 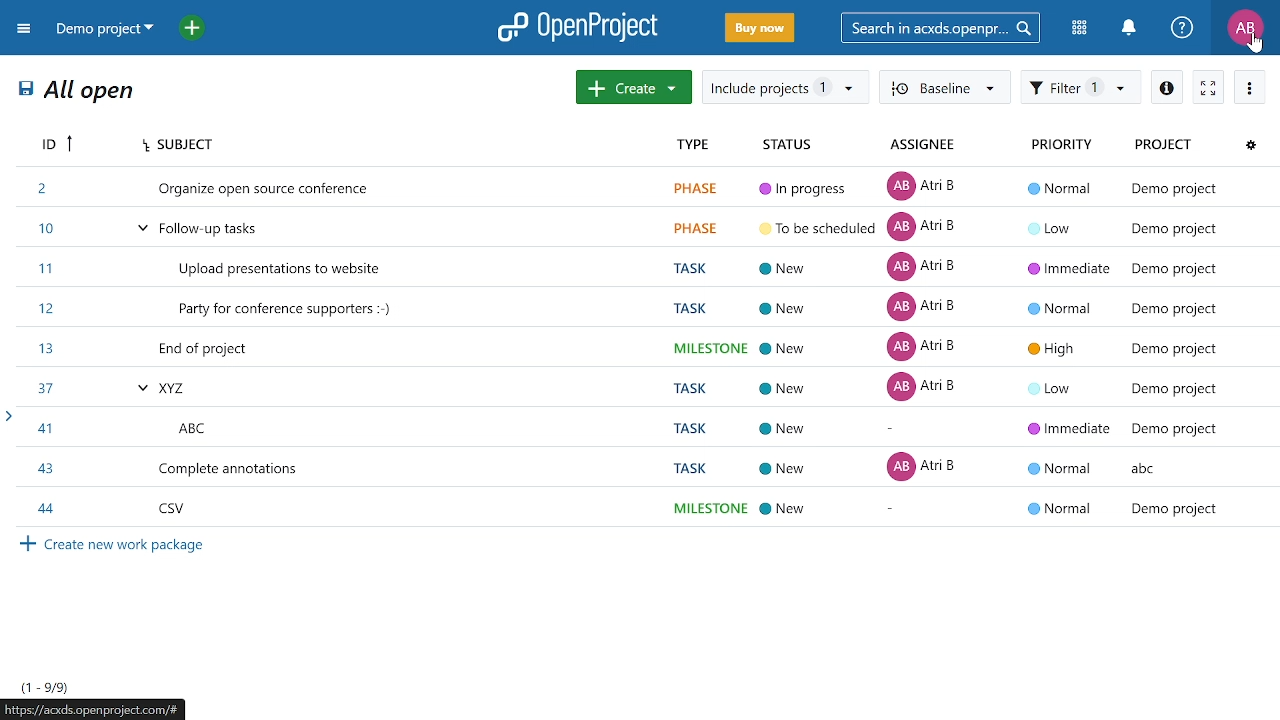 What do you see at coordinates (1072, 147) in the screenshot?
I see `priority` at bounding box center [1072, 147].